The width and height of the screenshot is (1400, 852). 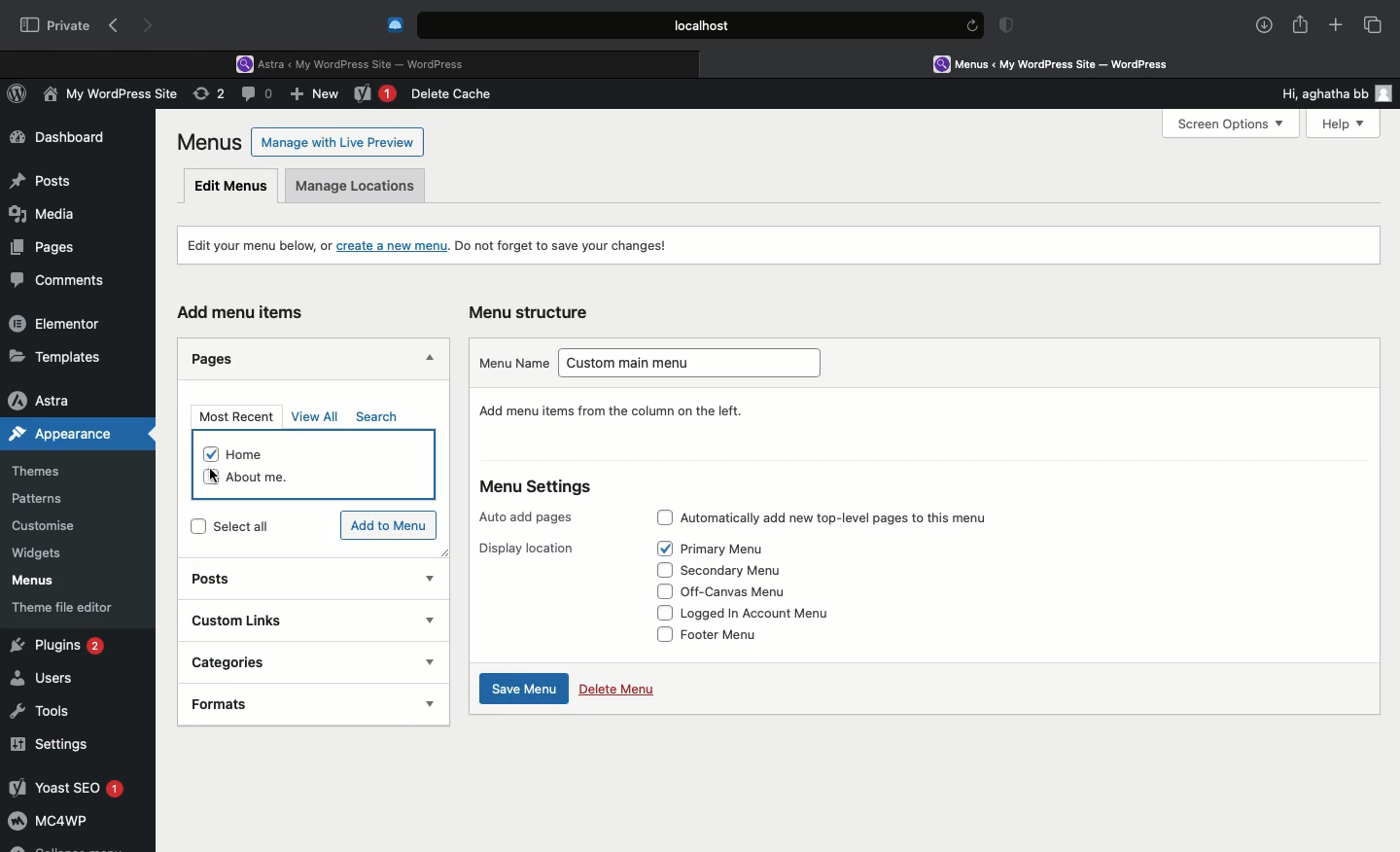 What do you see at coordinates (428, 620) in the screenshot?
I see `show` at bounding box center [428, 620].